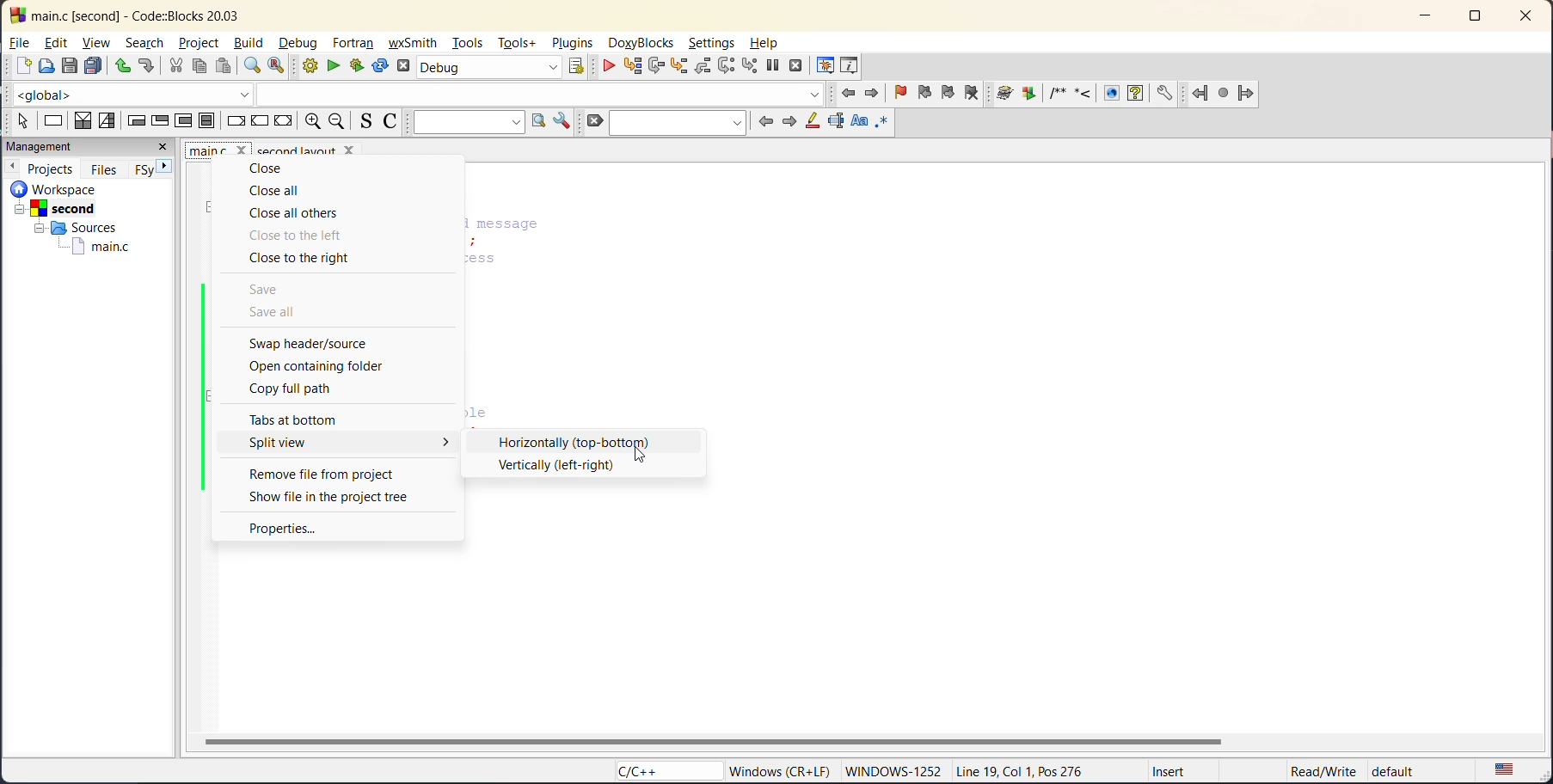  What do you see at coordinates (1507, 770) in the screenshot?
I see `text language` at bounding box center [1507, 770].